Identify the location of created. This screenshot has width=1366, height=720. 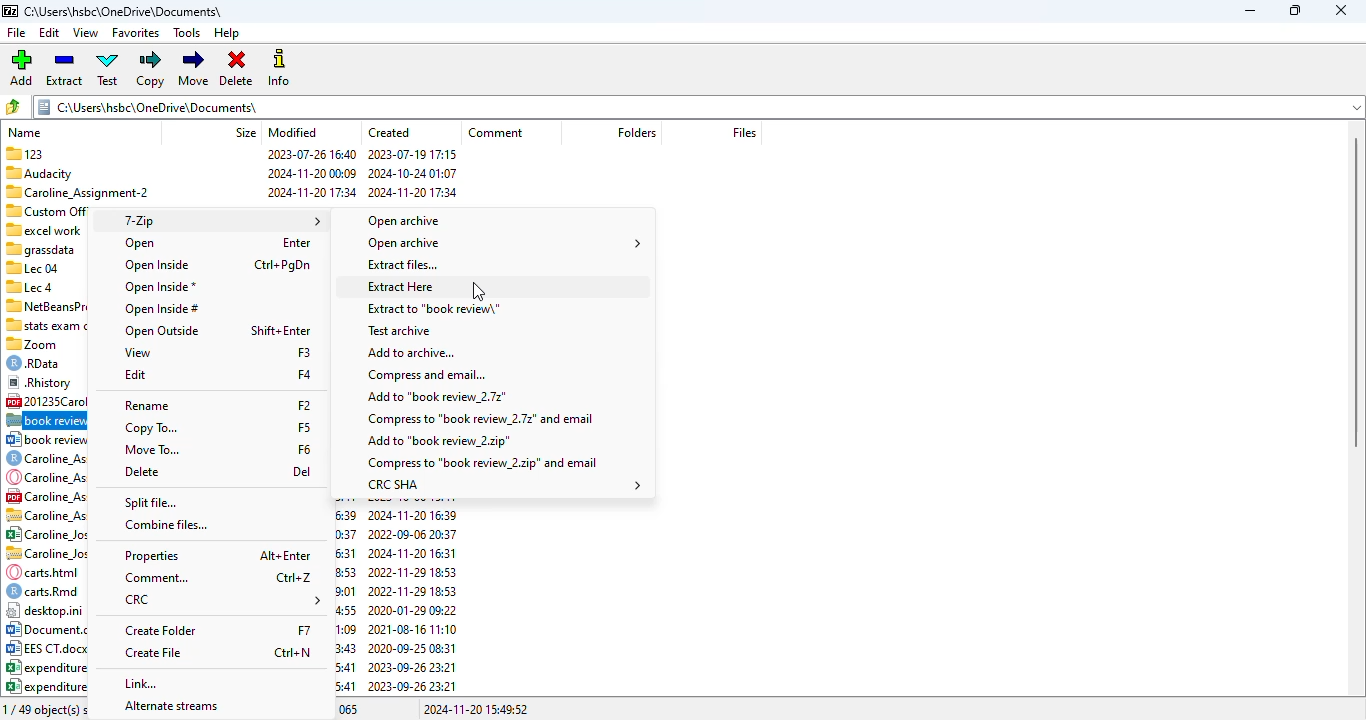
(389, 132).